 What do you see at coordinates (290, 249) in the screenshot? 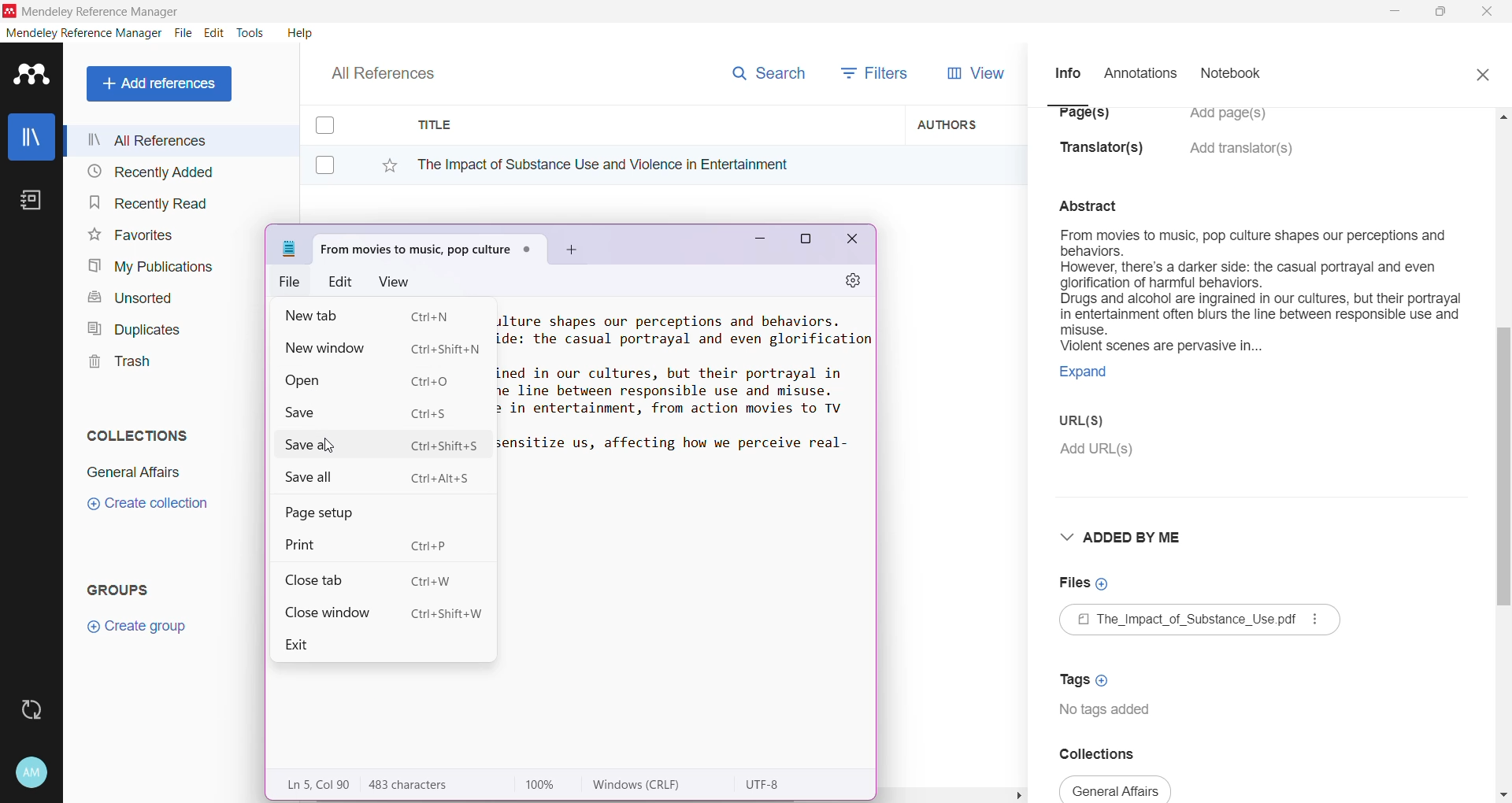
I see `Notepad Icon` at bounding box center [290, 249].